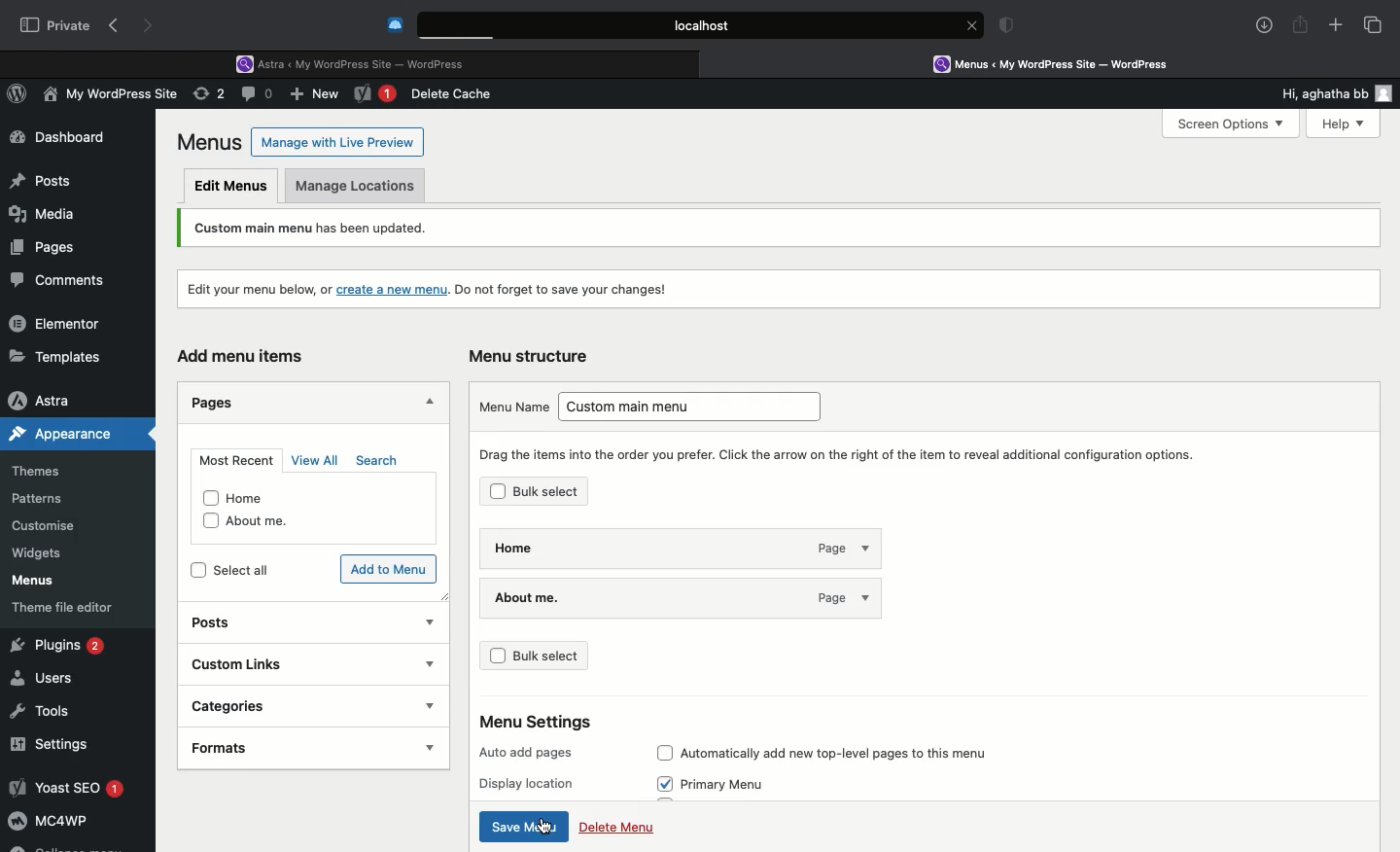 Image resolution: width=1400 pixels, height=852 pixels. Describe the element at coordinates (79, 434) in the screenshot. I see `Appearance` at that location.